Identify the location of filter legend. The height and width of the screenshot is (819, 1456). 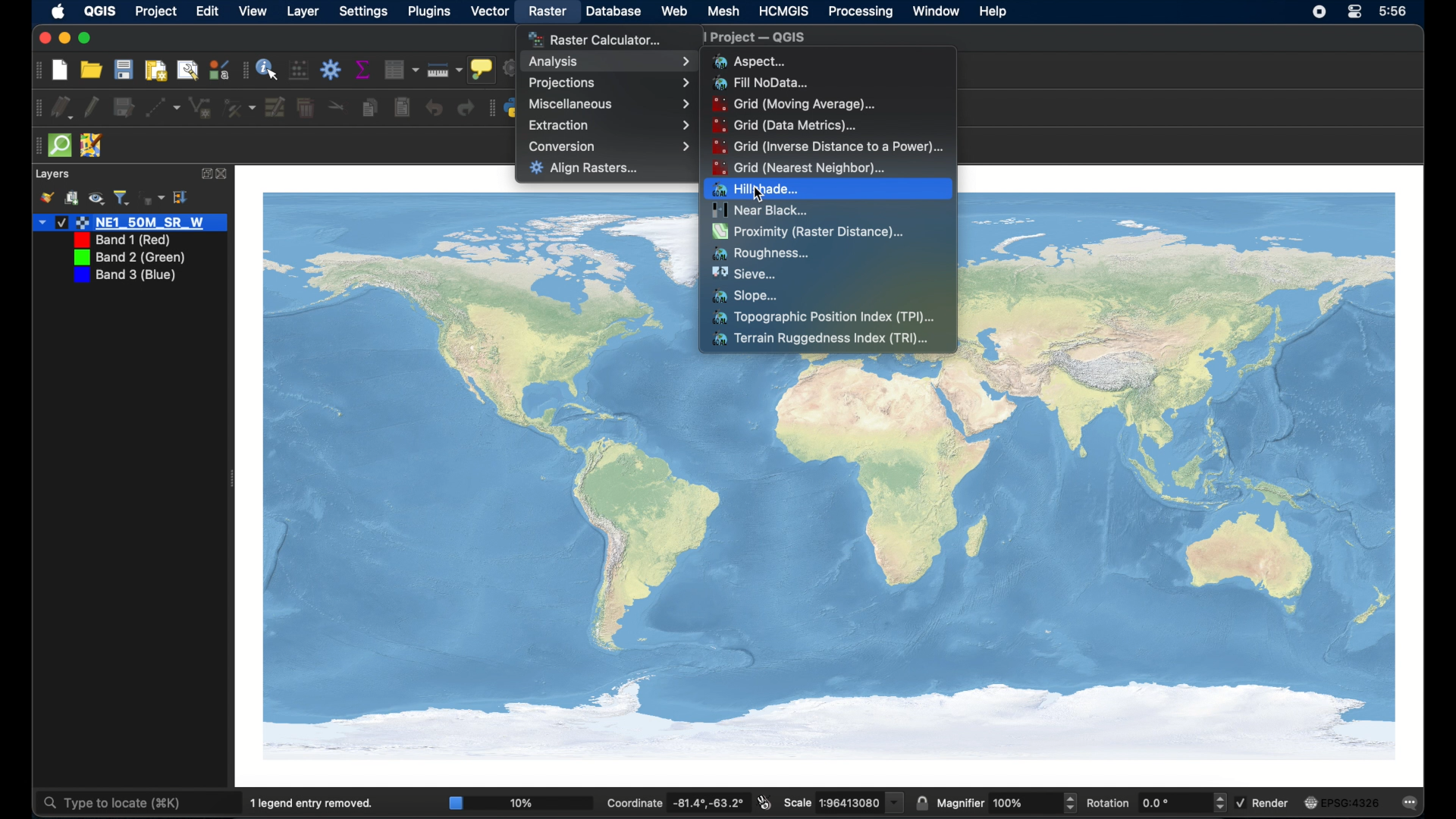
(122, 197).